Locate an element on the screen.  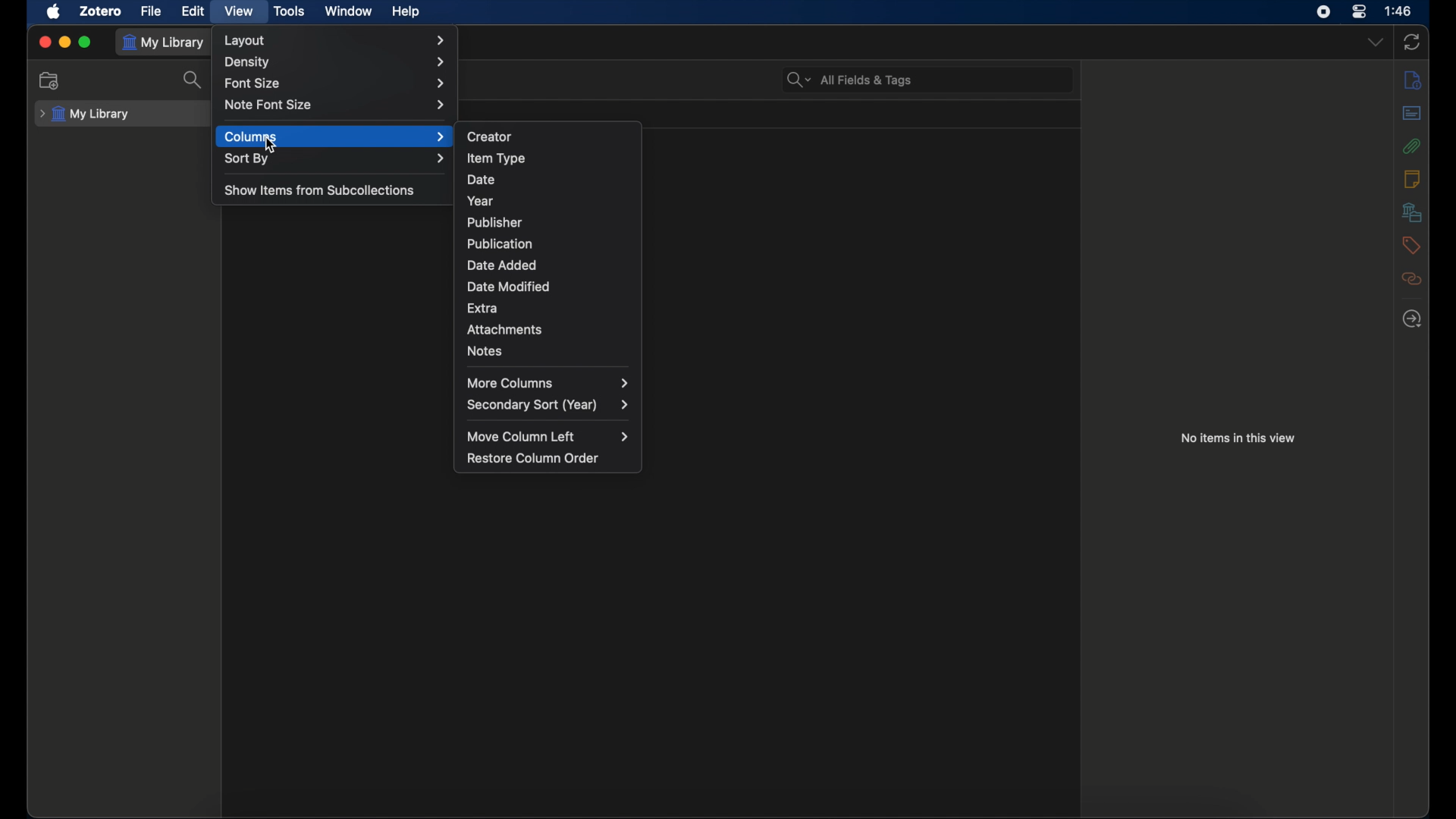
file is located at coordinates (150, 11).